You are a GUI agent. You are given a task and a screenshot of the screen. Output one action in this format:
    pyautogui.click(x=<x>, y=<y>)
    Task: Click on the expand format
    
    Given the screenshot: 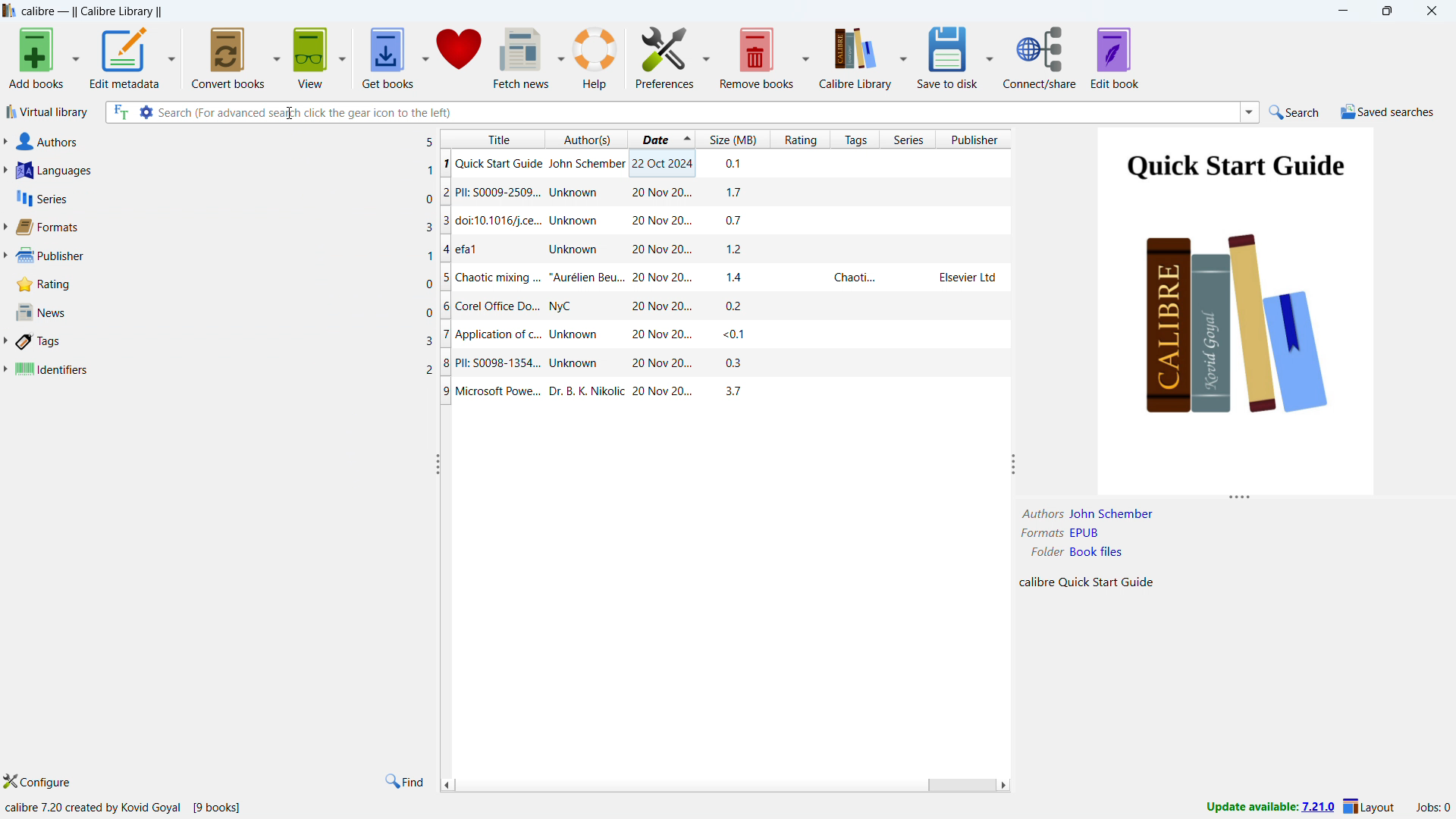 What is the action you would take?
    pyautogui.click(x=5, y=228)
    